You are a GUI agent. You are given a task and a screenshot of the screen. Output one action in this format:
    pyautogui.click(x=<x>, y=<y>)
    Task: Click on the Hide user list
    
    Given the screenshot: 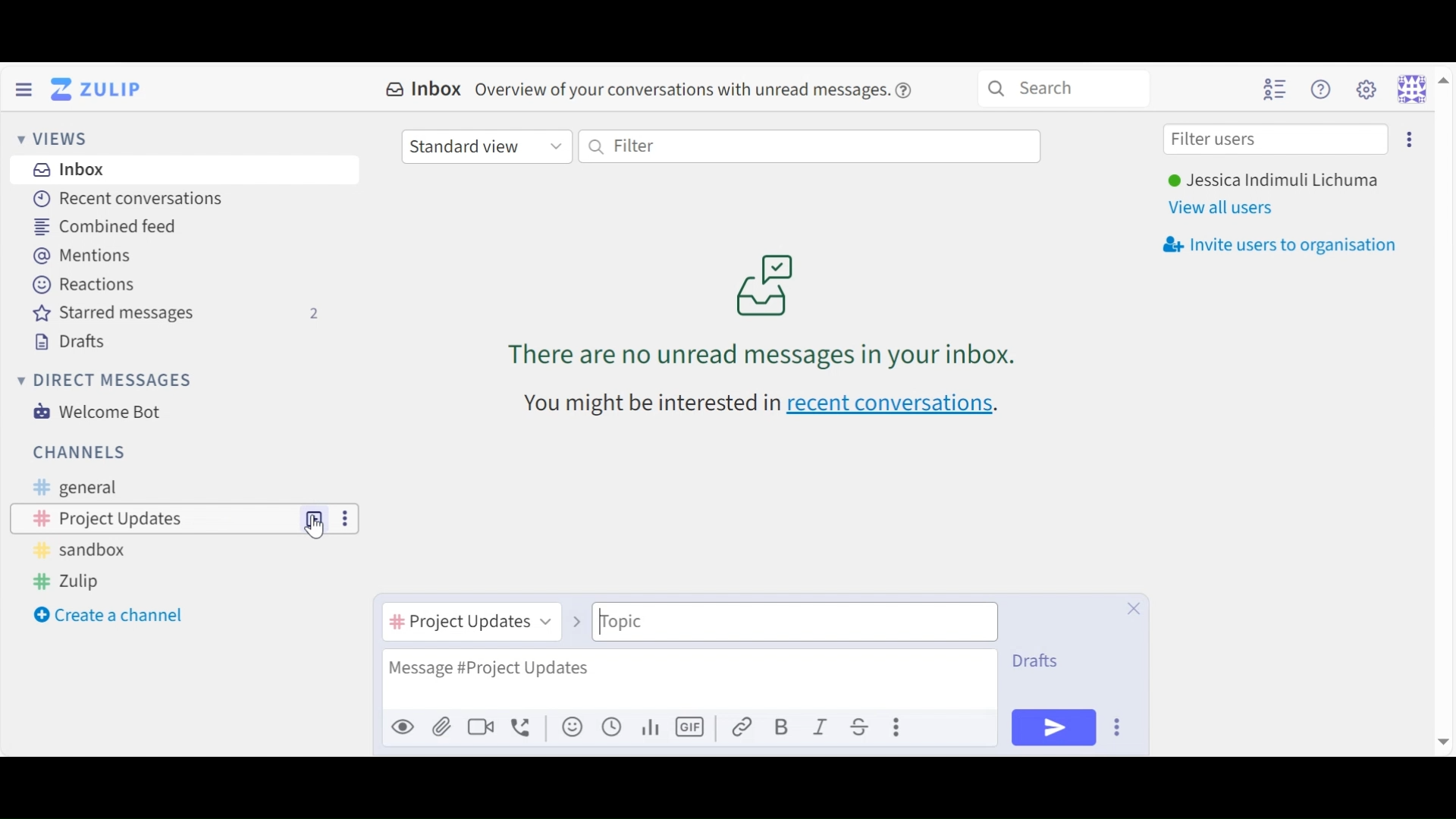 What is the action you would take?
    pyautogui.click(x=1275, y=89)
    